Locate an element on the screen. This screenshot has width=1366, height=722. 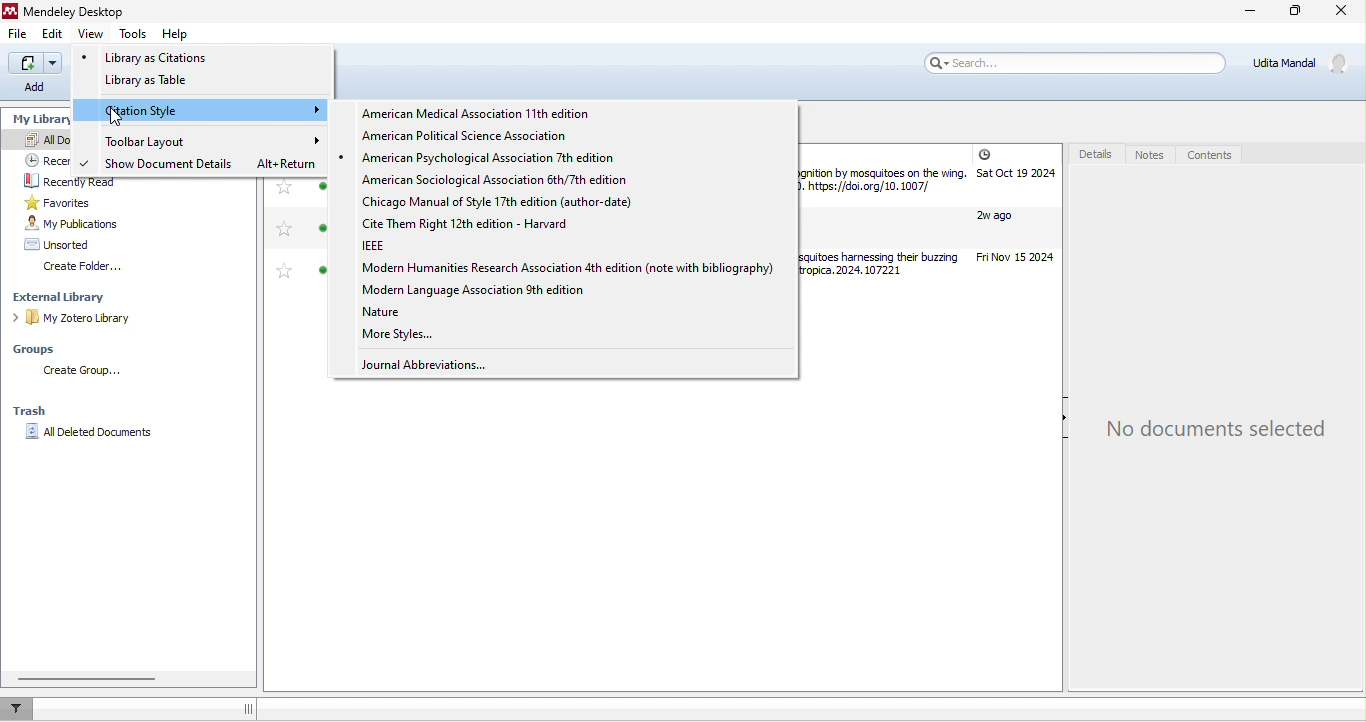
contents is located at coordinates (1215, 153).